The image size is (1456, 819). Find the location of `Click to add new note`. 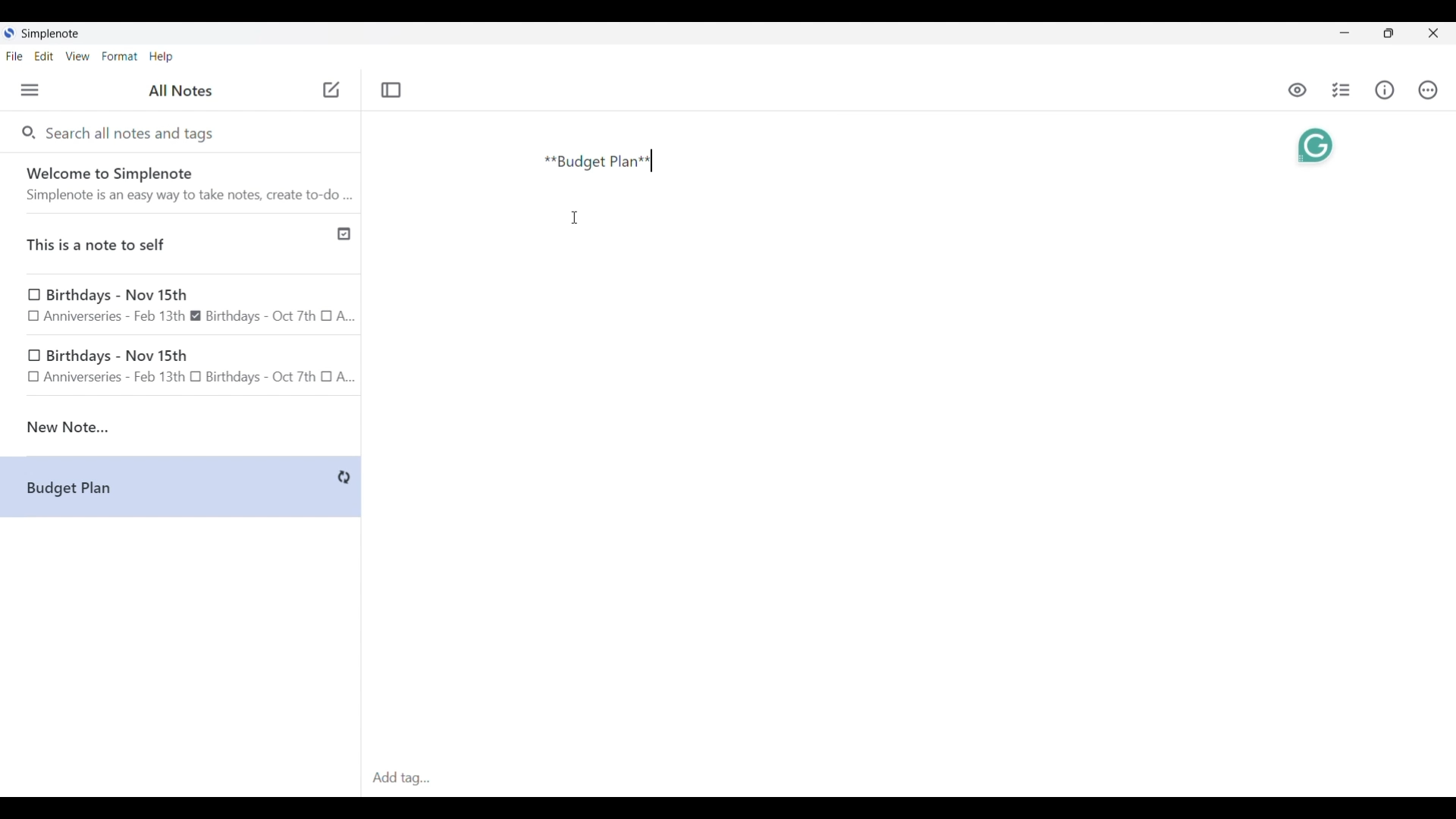

Click to add new note is located at coordinates (331, 89).